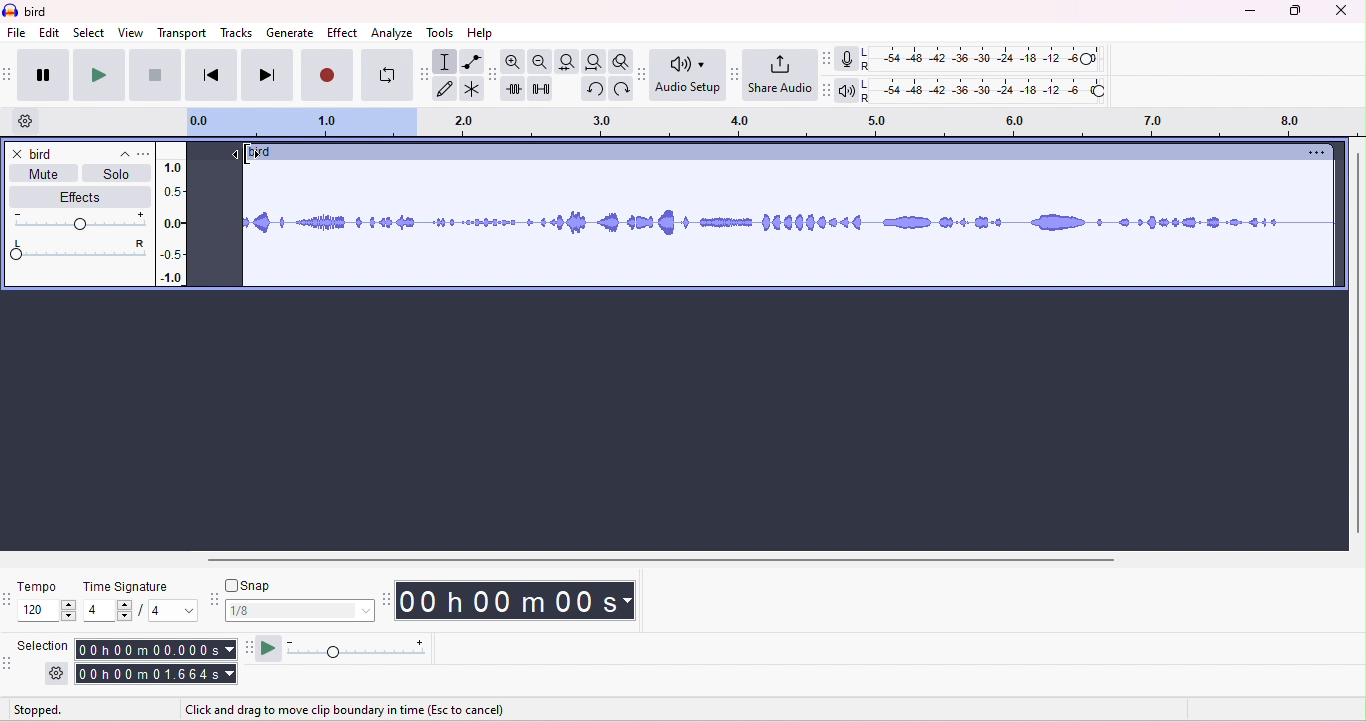 Image resolution: width=1366 pixels, height=722 pixels. What do you see at coordinates (10, 665) in the screenshot?
I see `selection tool bar` at bounding box center [10, 665].